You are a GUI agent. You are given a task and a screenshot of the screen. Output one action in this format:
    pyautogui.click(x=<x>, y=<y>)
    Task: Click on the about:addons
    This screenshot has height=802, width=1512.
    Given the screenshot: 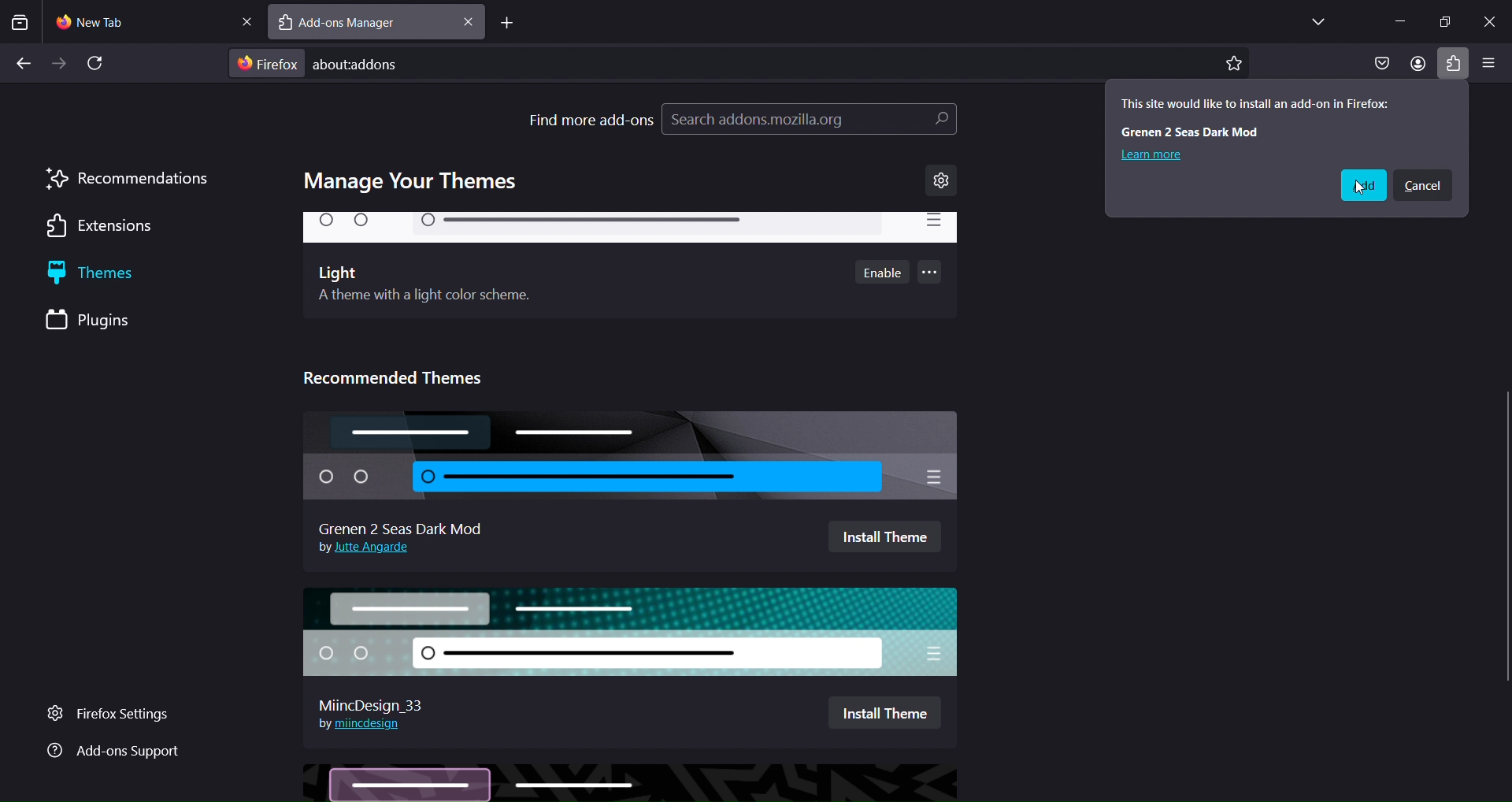 What is the action you would take?
    pyautogui.click(x=379, y=63)
    